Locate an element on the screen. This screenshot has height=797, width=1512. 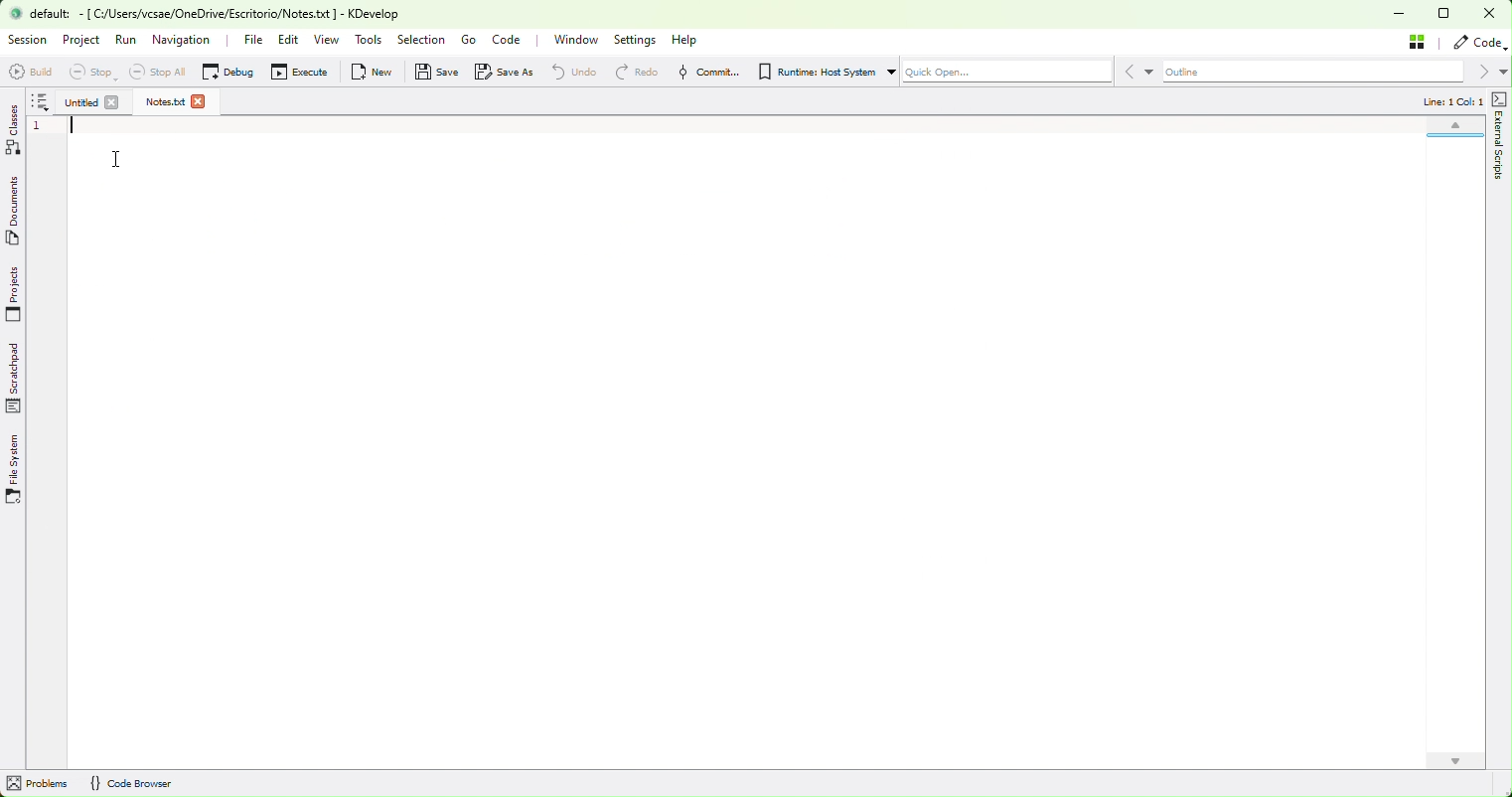
minimise is located at coordinates (1404, 16).